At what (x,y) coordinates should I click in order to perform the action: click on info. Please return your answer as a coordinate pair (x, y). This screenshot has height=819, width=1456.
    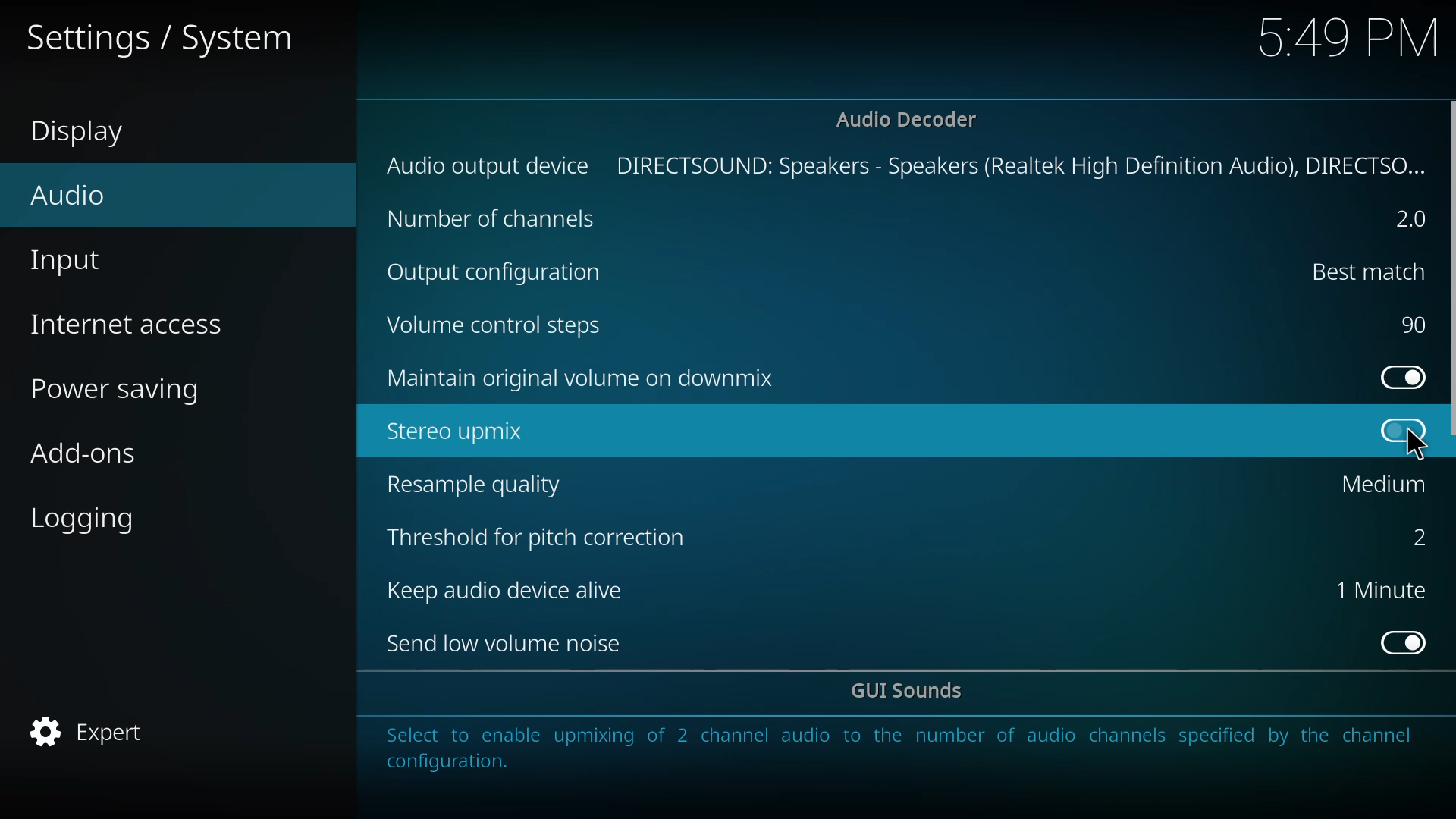
    Looking at the image, I should click on (899, 756).